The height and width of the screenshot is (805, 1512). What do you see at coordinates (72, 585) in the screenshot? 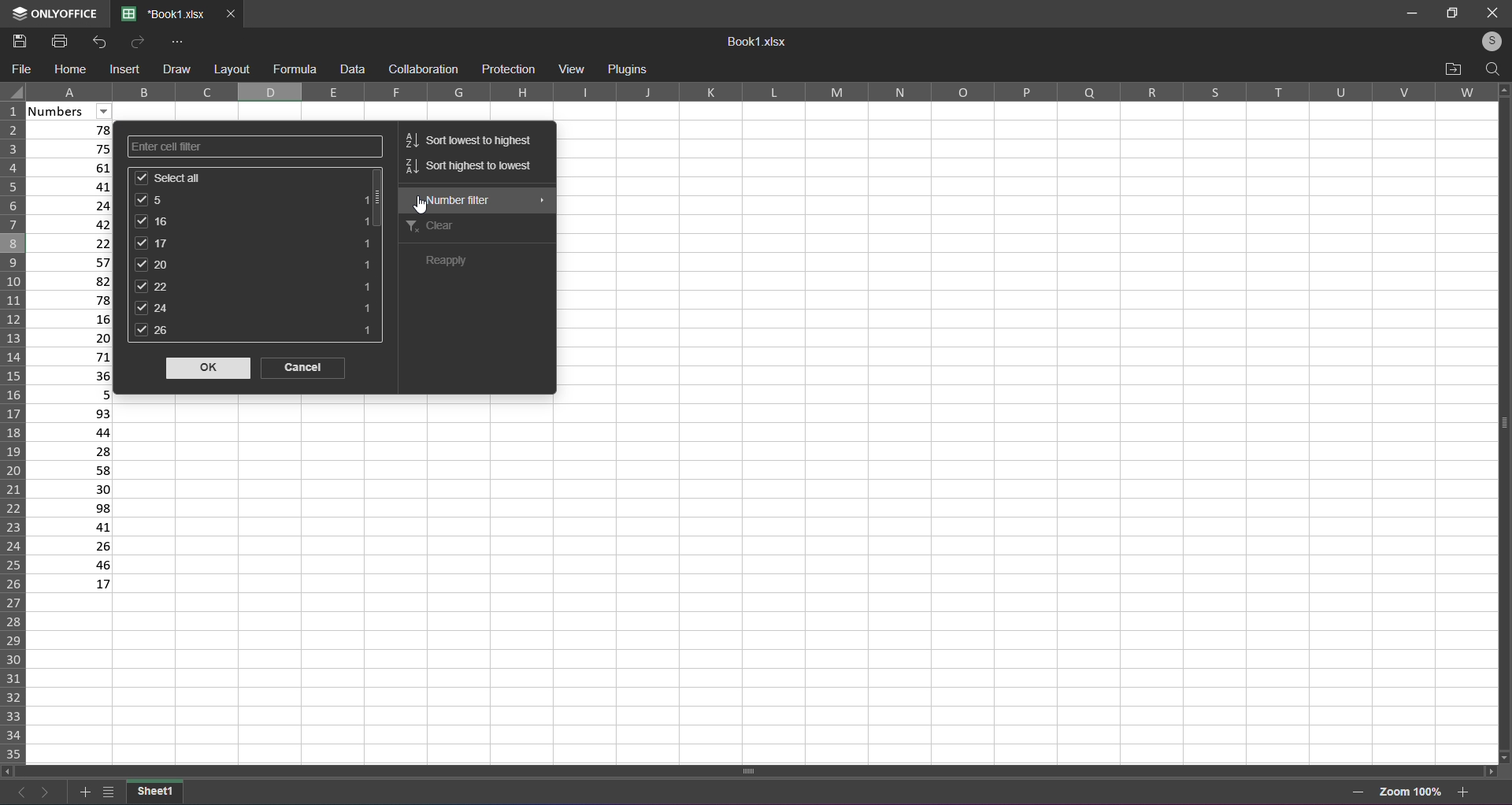
I see `17` at bounding box center [72, 585].